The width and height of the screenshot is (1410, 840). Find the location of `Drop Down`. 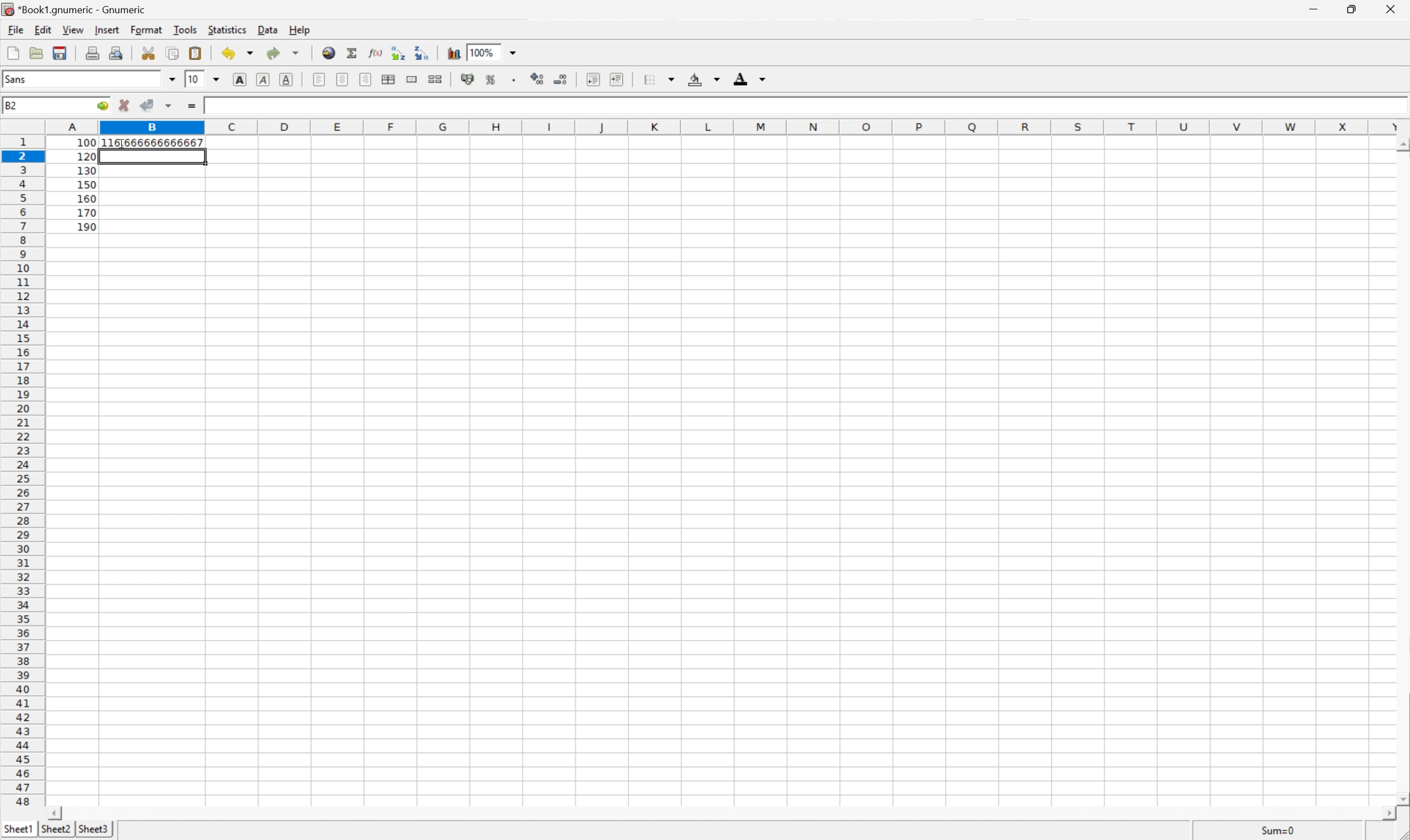

Drop Down is located at coordinates (218, 79).